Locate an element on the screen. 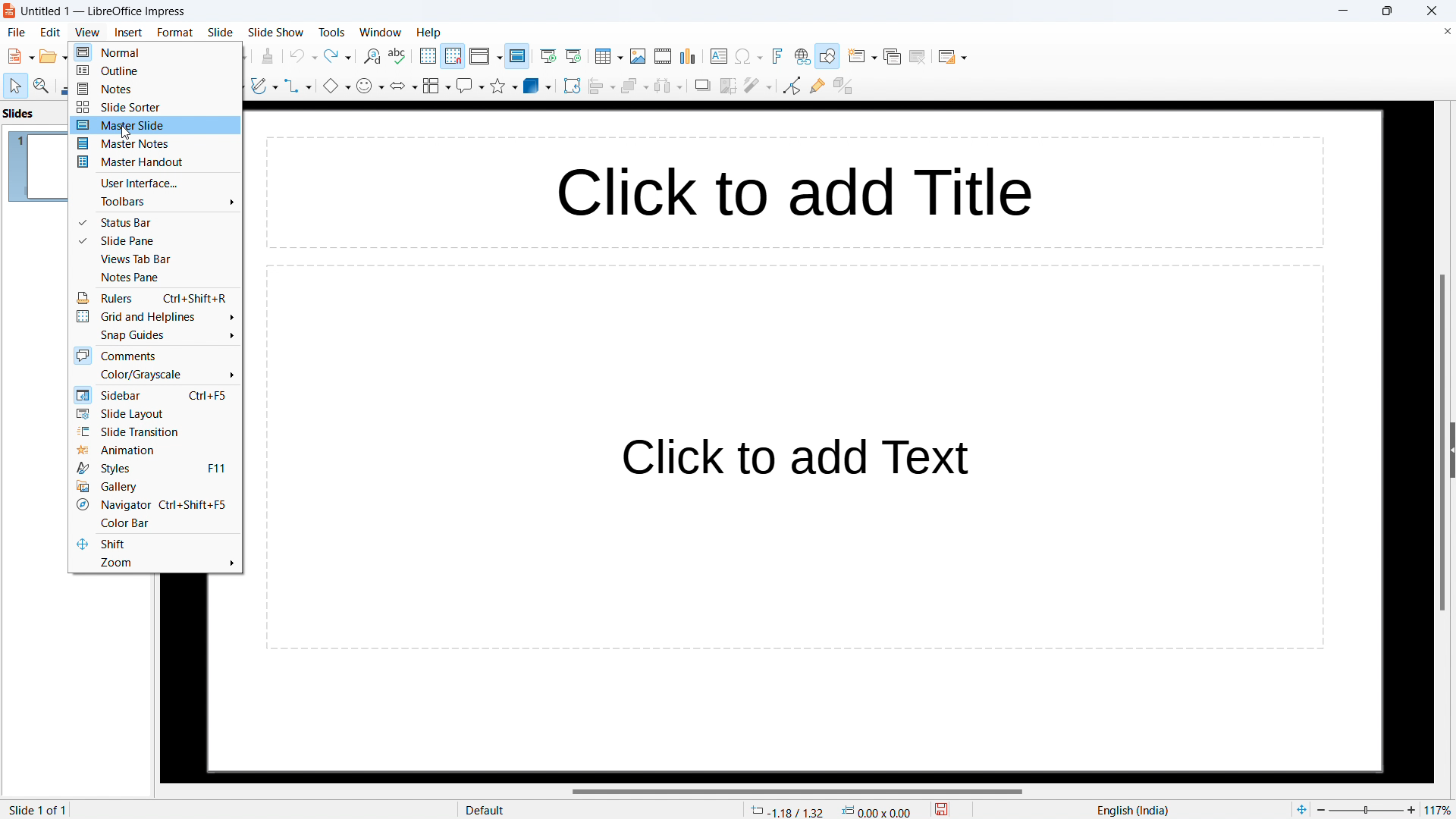 The width and height of the screenshot is (1456, 819). master slide is located at coordinates (518, 56).